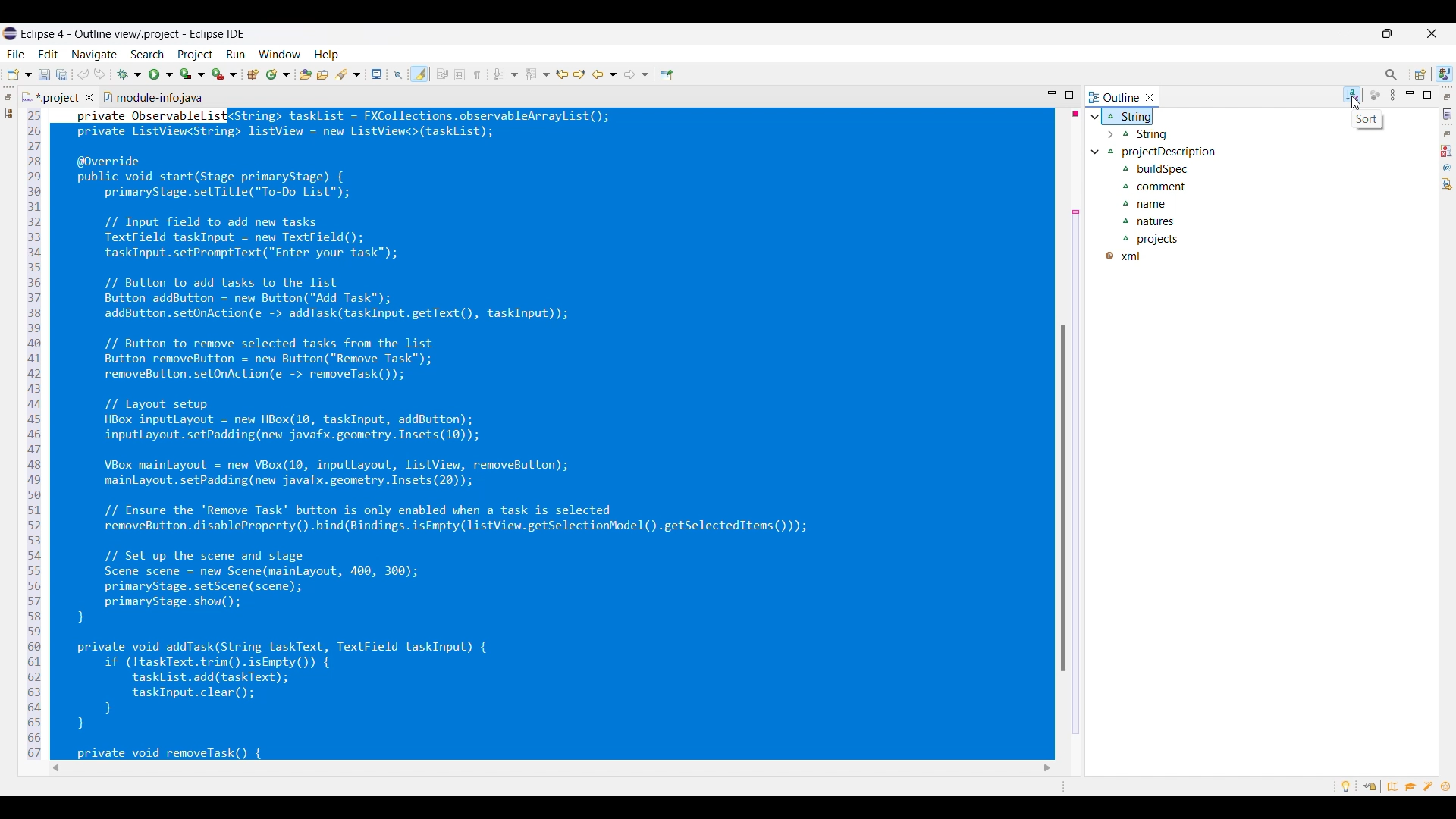  I want to click on Access commands and other items , so click(1392, 75).